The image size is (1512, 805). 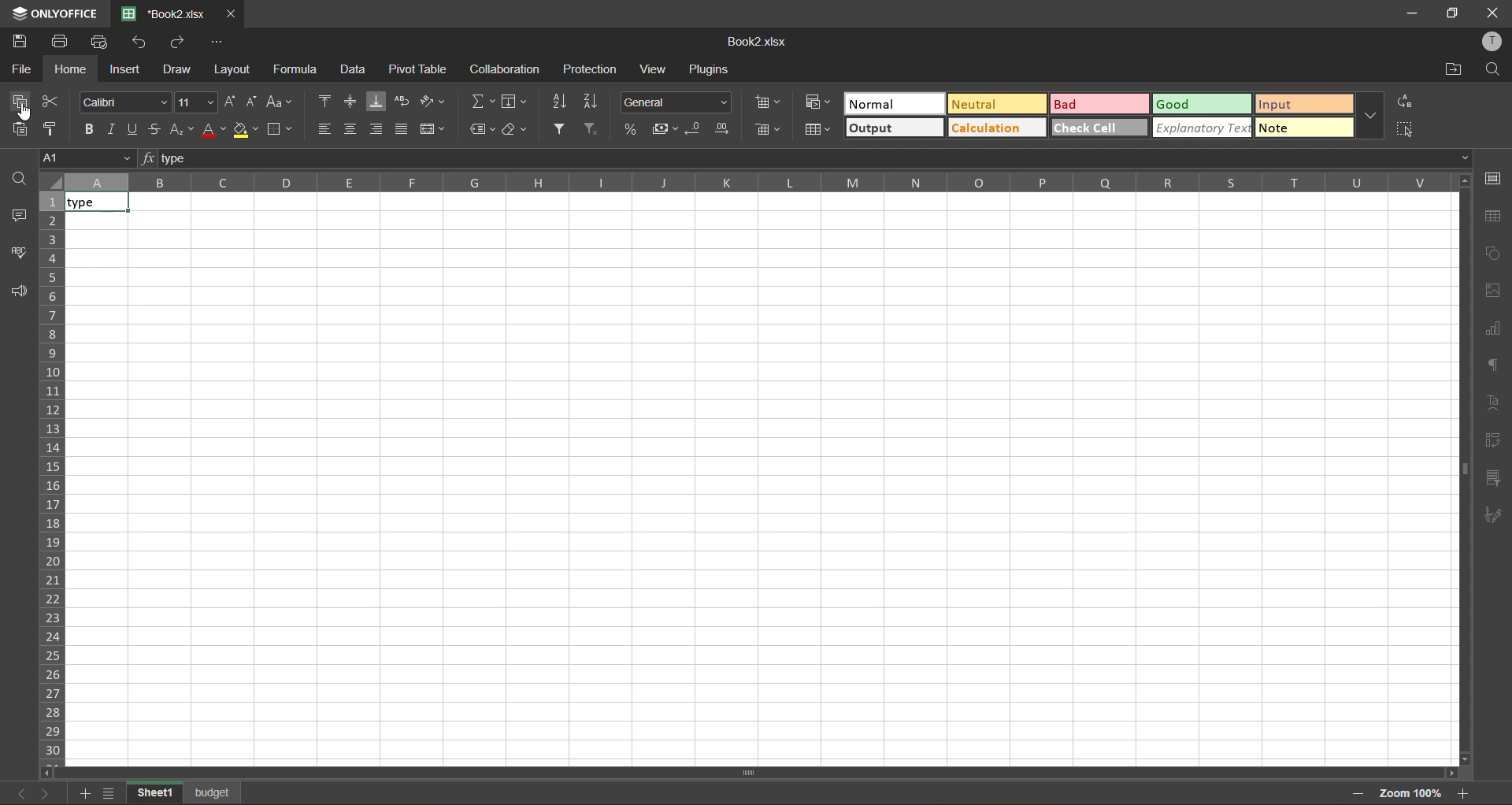 I want to click on profile, so click(x=1495, y=39).